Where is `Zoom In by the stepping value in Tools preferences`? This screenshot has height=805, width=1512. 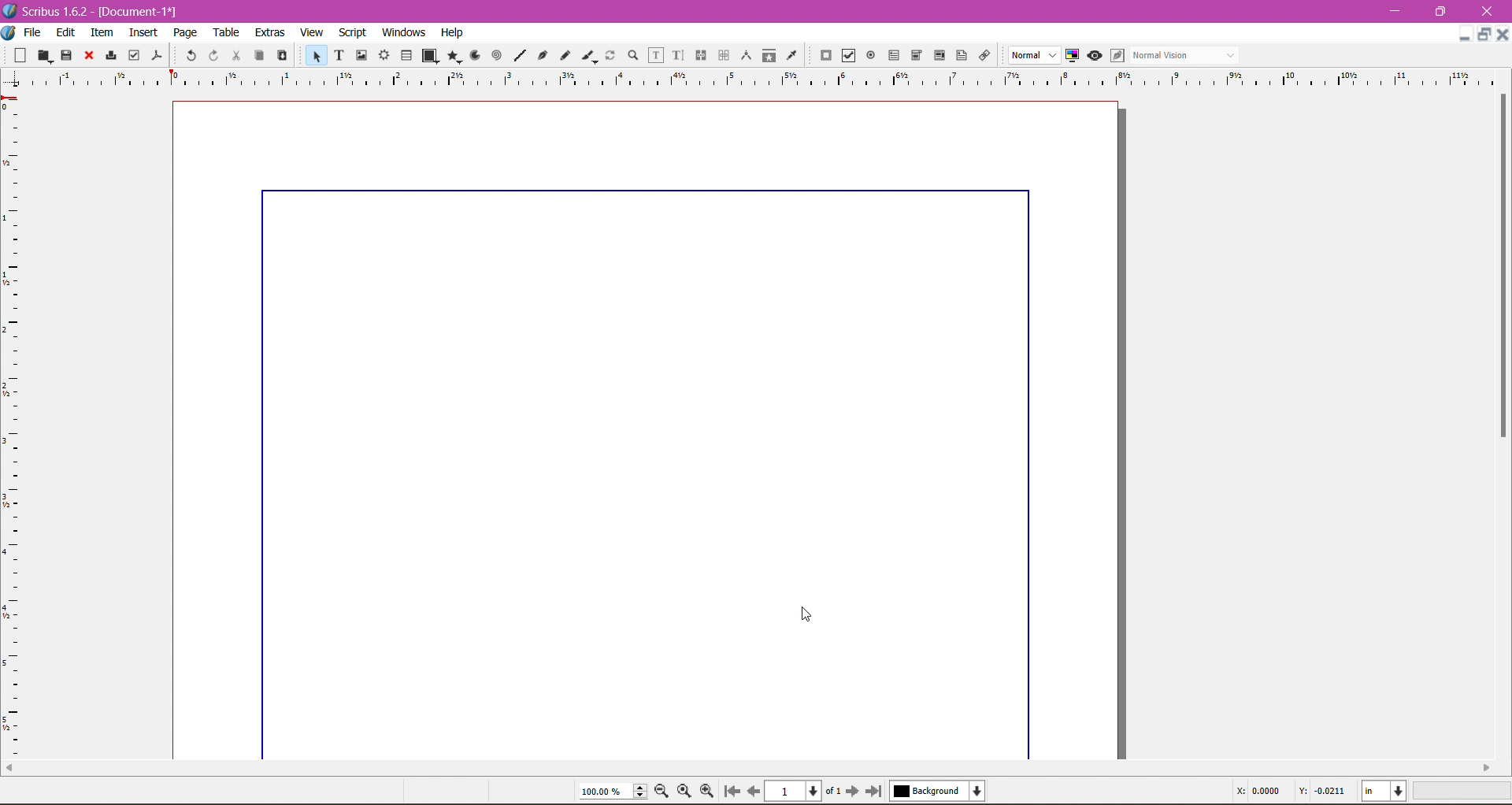 Zoom In by the stepping value in Tools preferences is located at coordinates (706, 789).